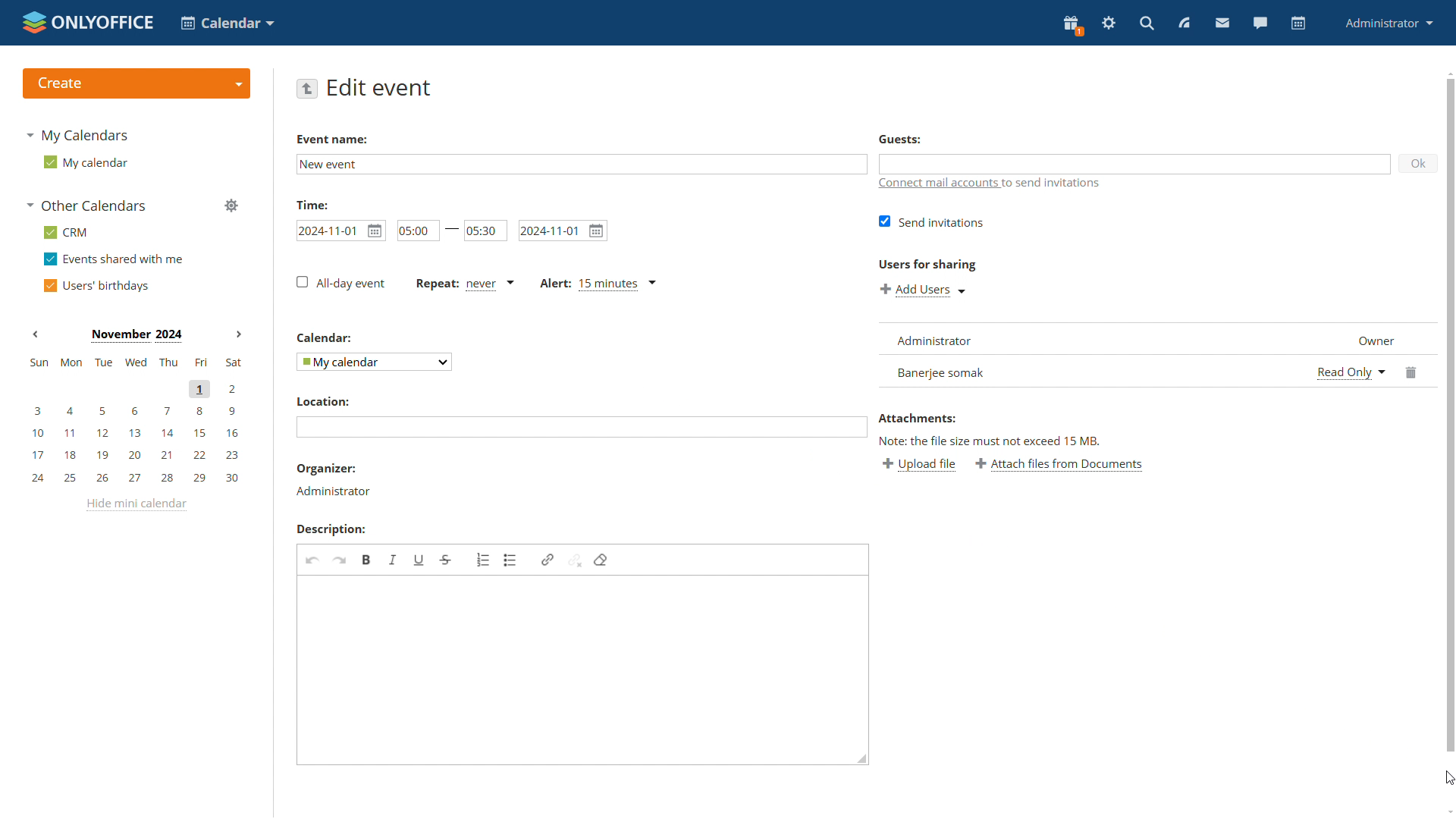 This screenshot has width=1456, height=819. What do you see at coordinates (1135, 163) in the screenshot?
I see `add guests` at bounding box center [1135, 163].